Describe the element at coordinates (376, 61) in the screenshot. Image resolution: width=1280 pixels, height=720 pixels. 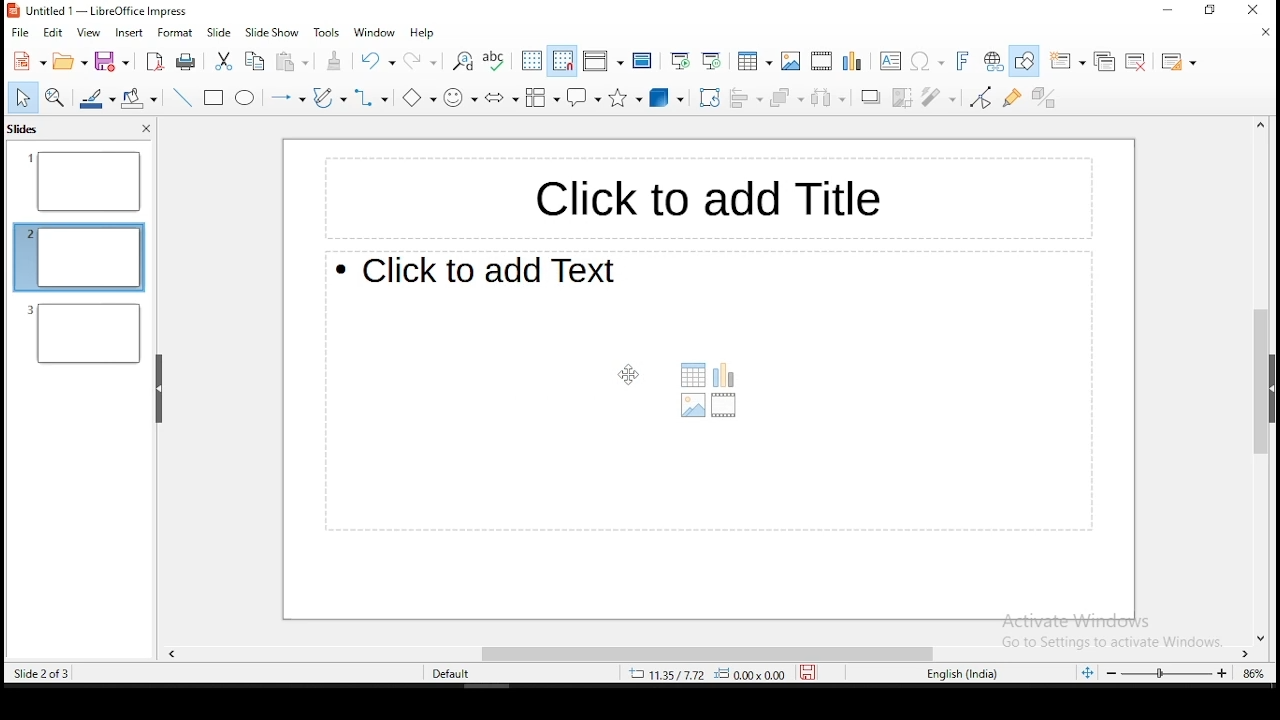
I see `undo` at that location.